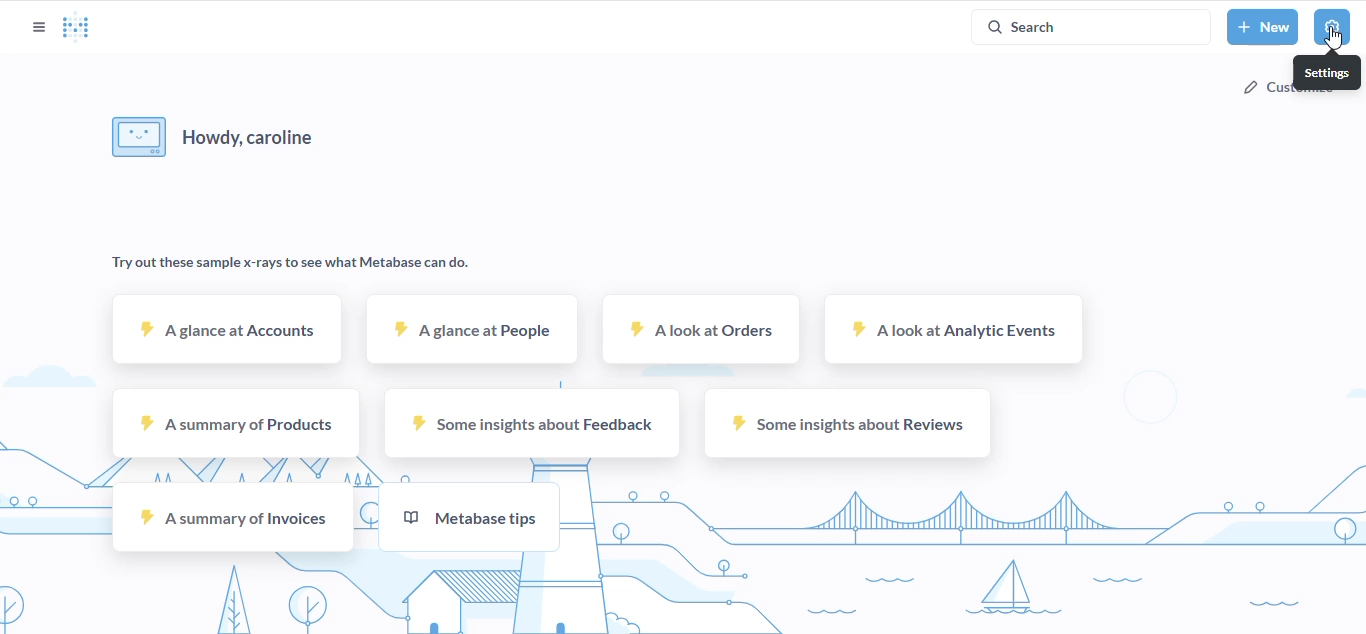 The width and height of the screenshot is (1366, 634). Describe the element at coordinates (1327, 72) in the screenshot. I see `settings` at that location.